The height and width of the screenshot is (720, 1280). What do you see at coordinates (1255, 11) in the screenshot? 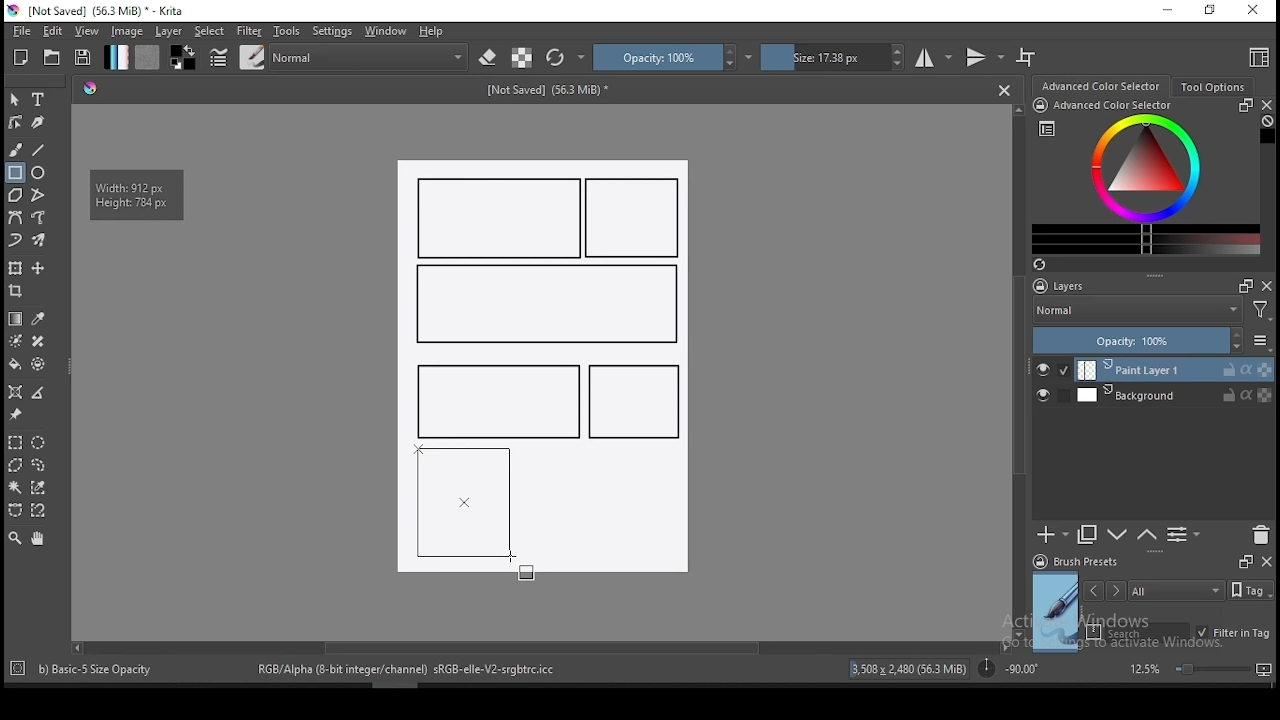
I see ` close window` at bounding box center [1255, 11].